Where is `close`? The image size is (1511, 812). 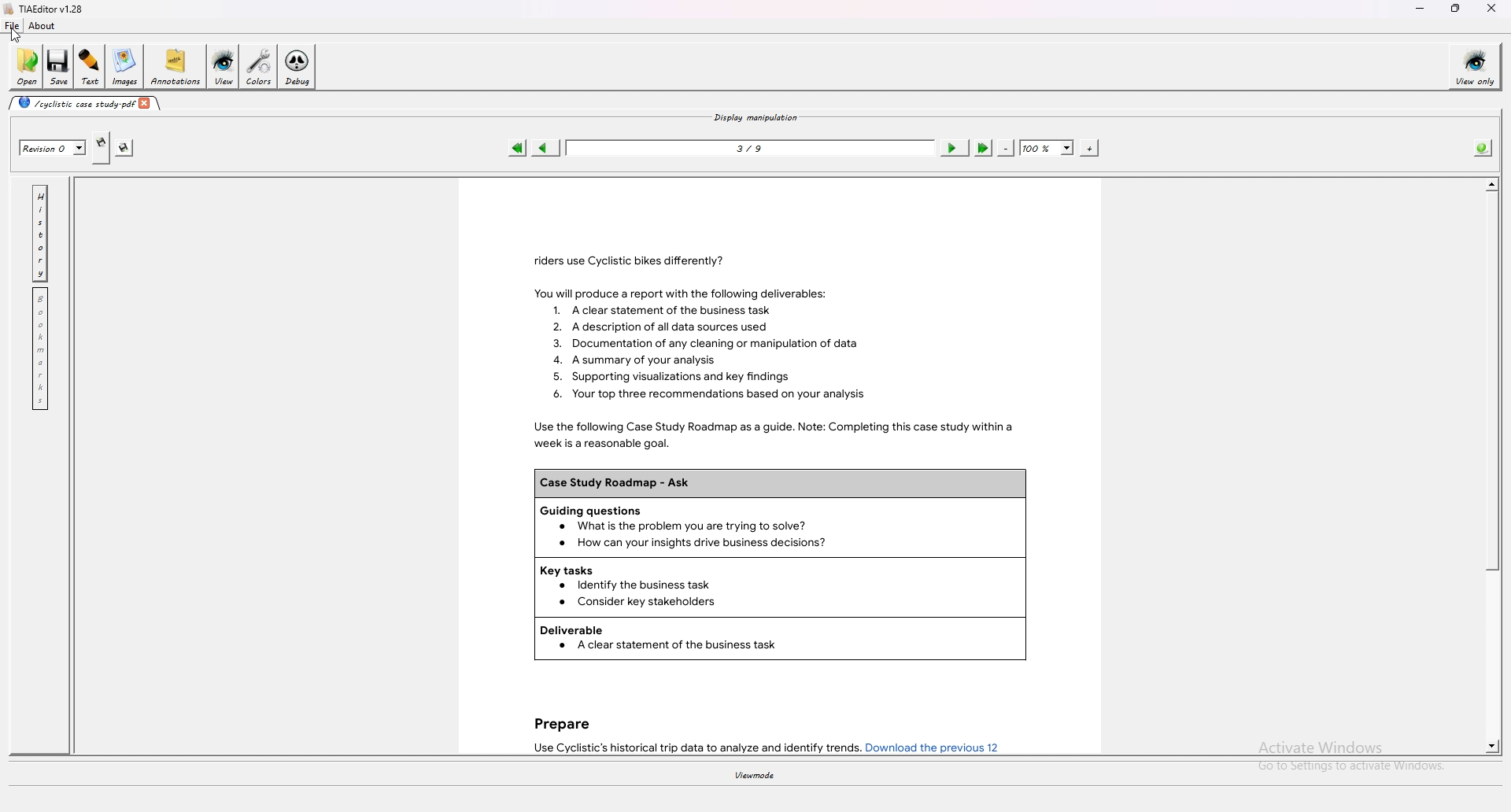
close is located at coordinates (148, 102).